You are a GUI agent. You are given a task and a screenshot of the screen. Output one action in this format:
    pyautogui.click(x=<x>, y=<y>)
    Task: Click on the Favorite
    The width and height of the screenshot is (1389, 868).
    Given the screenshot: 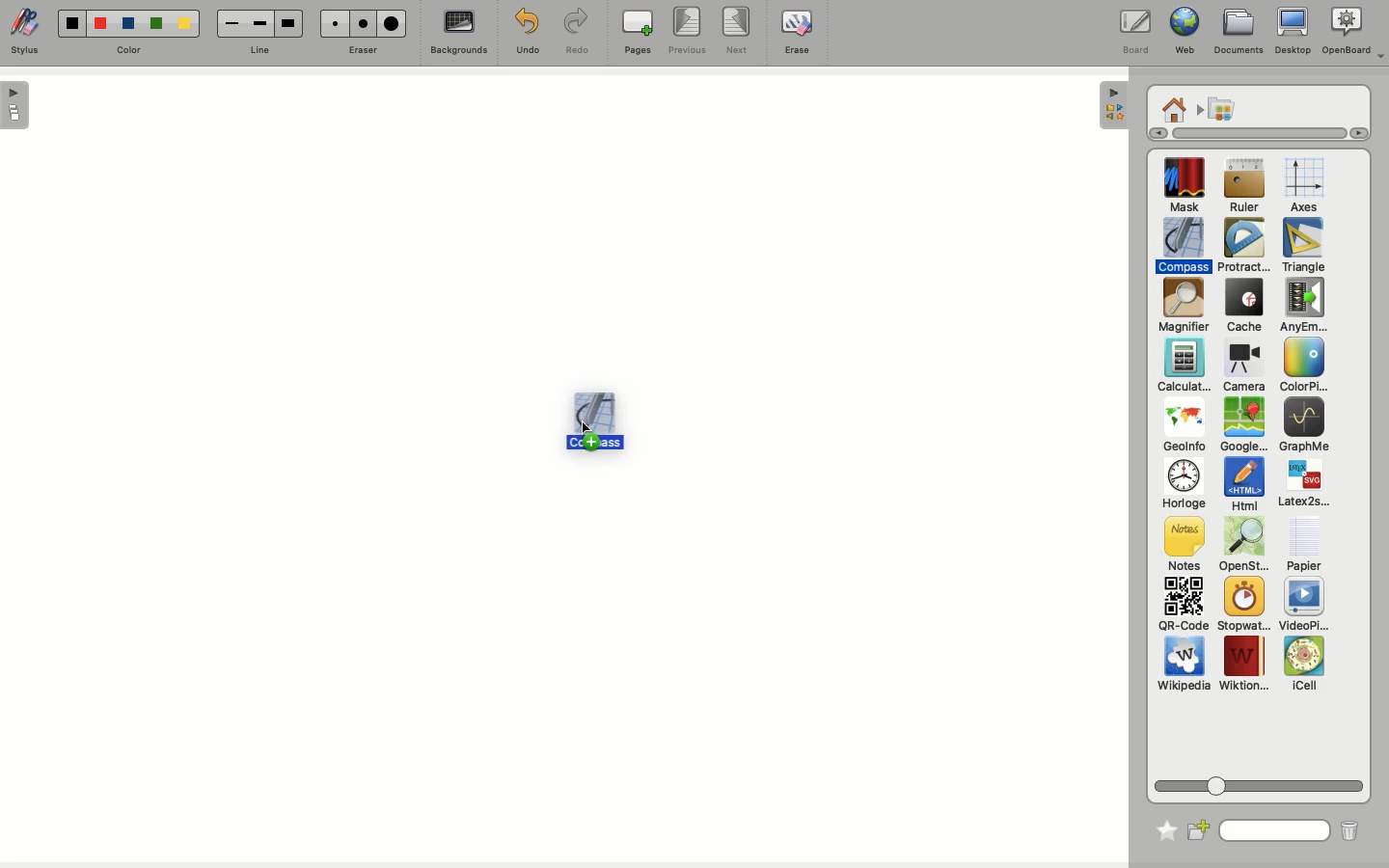 What is the action you would take?
    pyautogui.click(x=1161, y=827)
    